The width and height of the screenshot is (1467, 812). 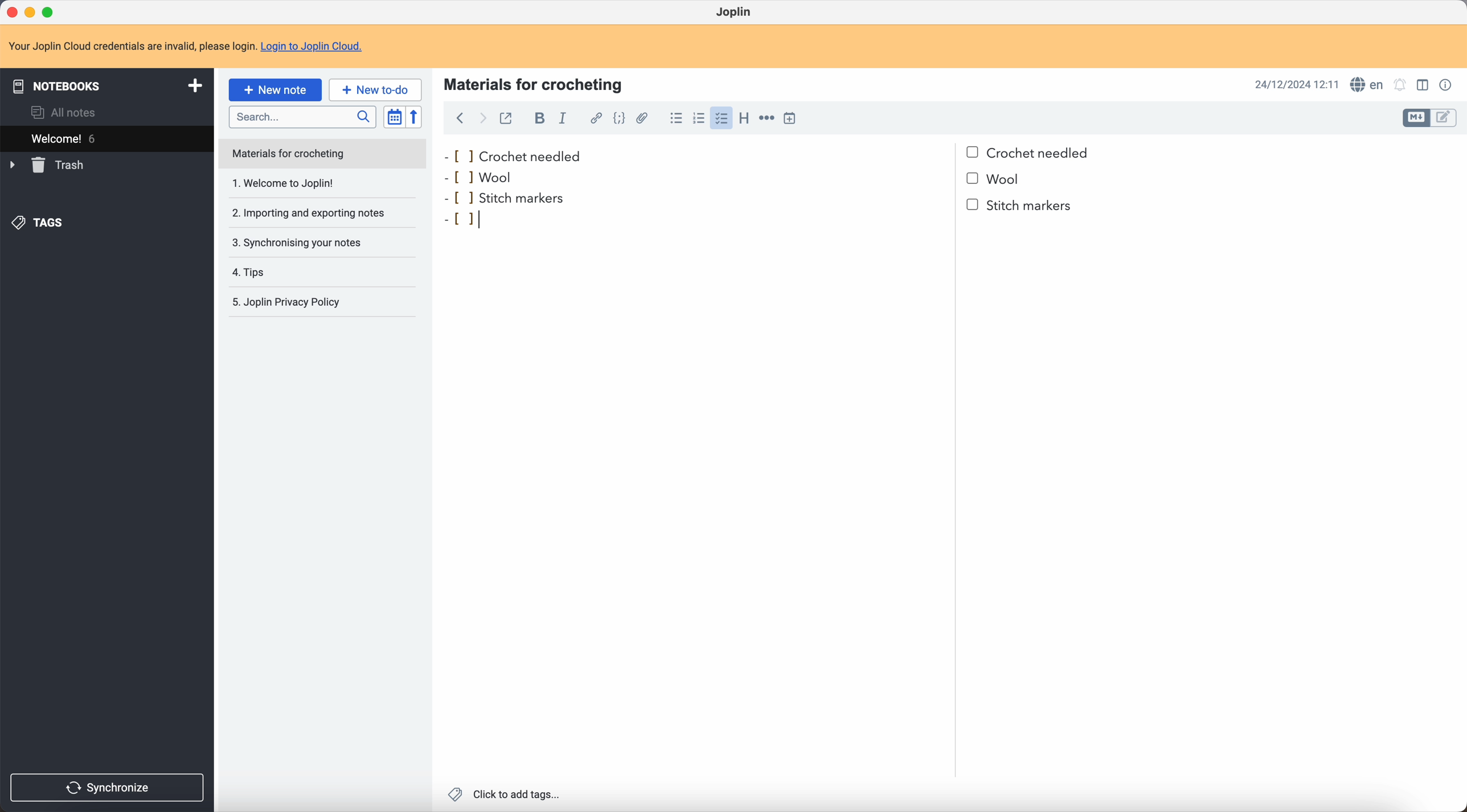 What do you see at coordinates (394, 117) in the screenshot?
I see `toggle sort order field` at bounding box center [394, 117].